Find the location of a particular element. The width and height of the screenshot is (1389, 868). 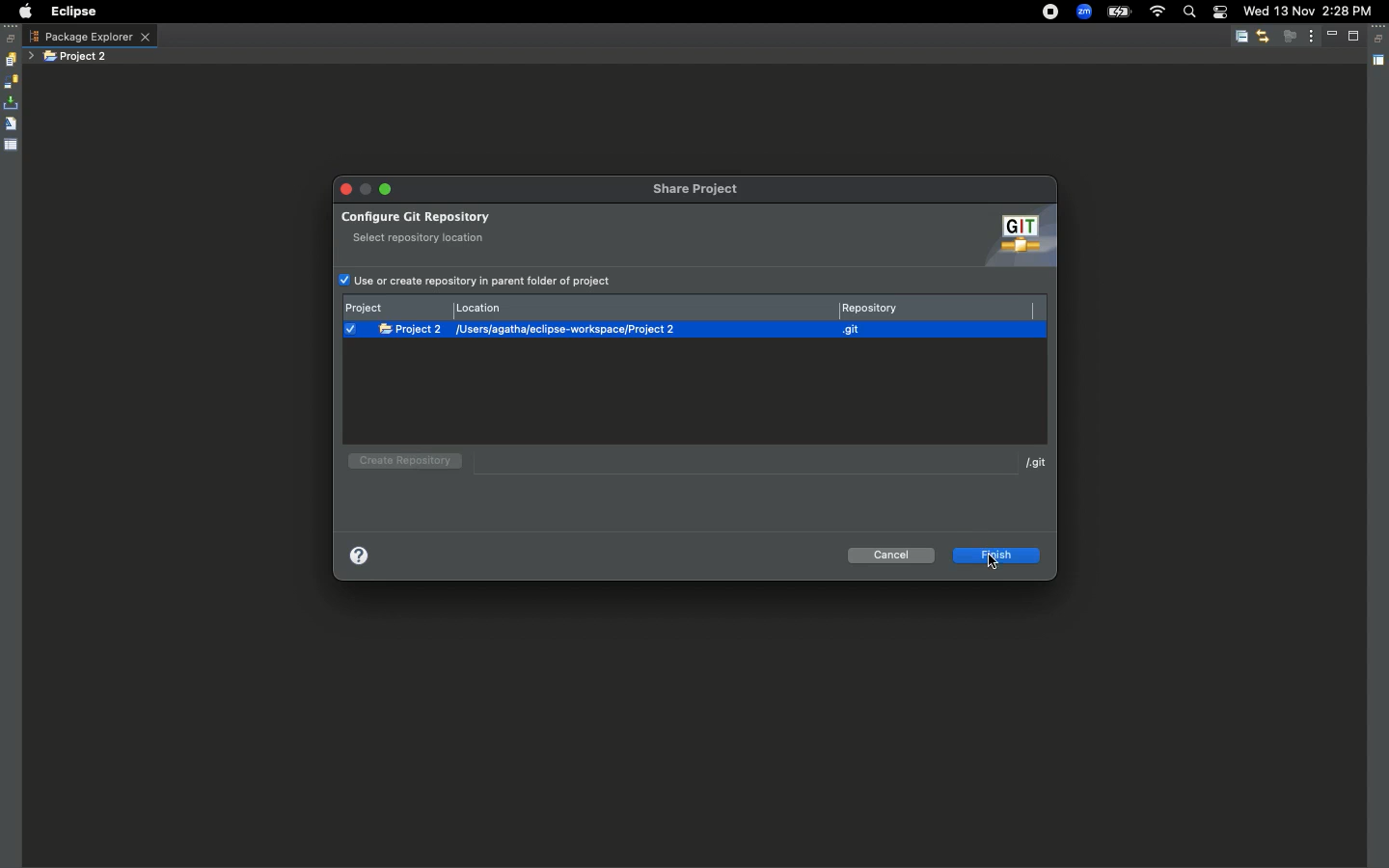

Apple logo is located at coordinates (22, 12).